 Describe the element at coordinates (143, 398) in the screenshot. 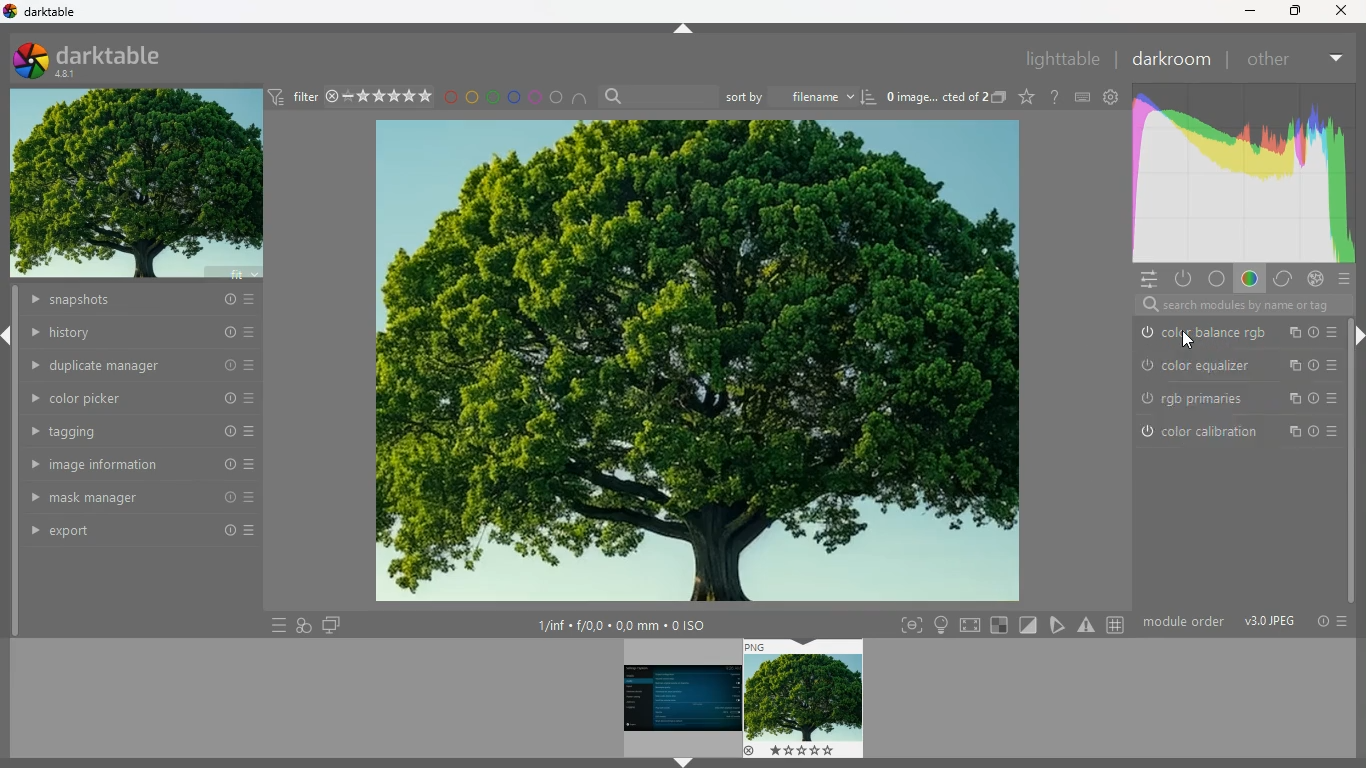

I see `color picker` at that location.